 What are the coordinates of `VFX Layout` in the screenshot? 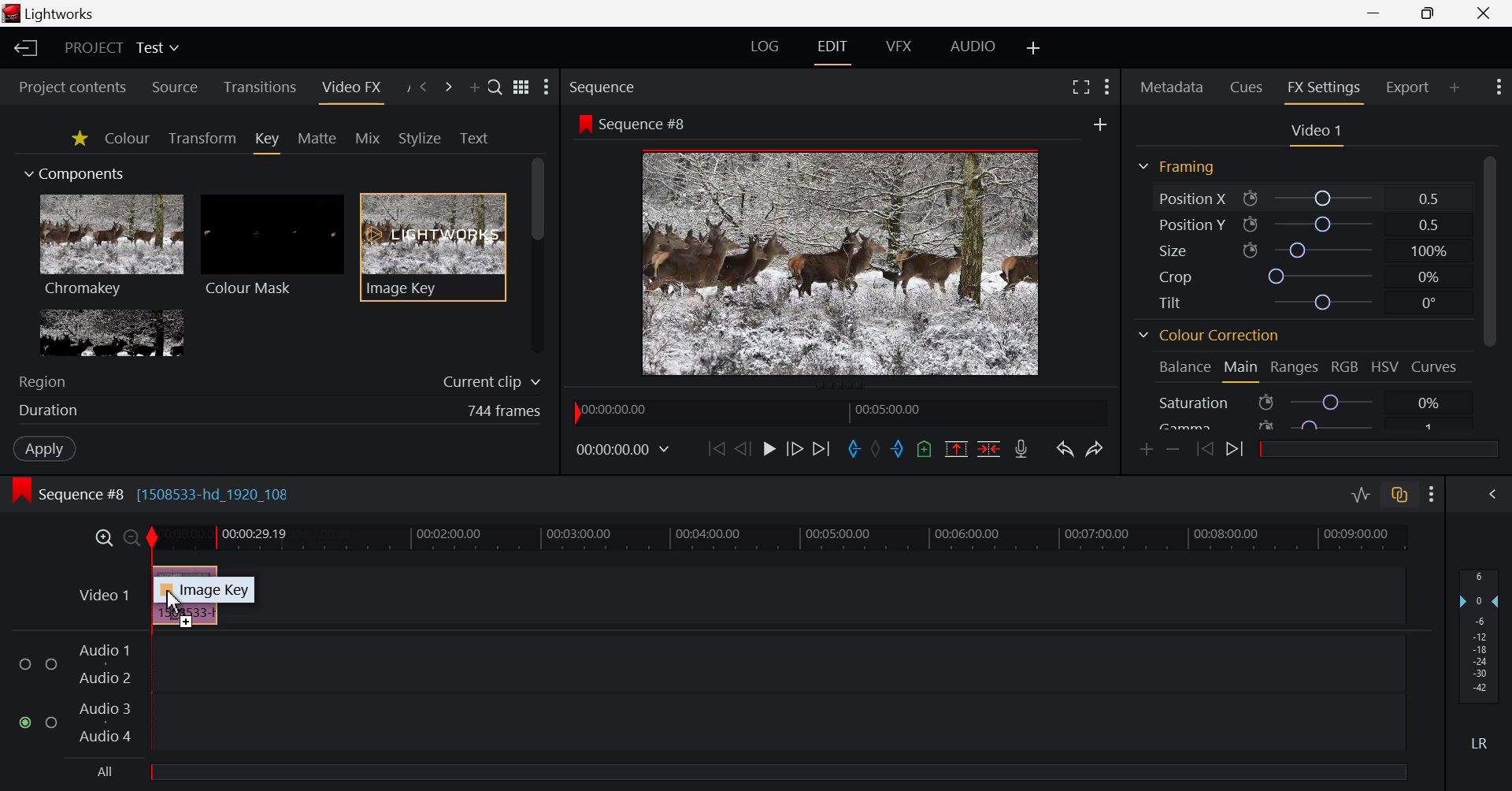 It's located at (897, 49).